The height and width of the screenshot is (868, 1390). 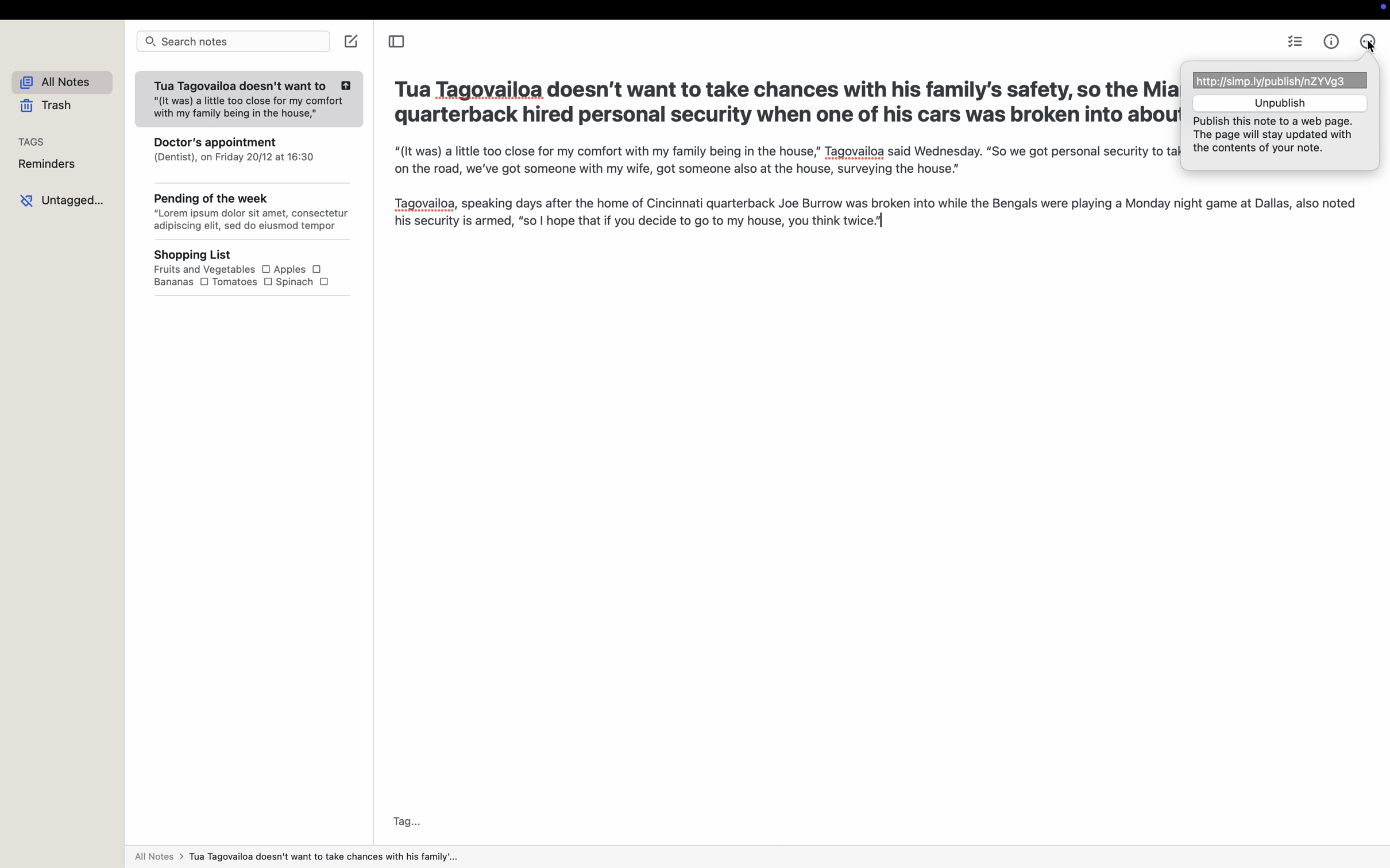 I want to click on search bar, so click(x=233, y=42).